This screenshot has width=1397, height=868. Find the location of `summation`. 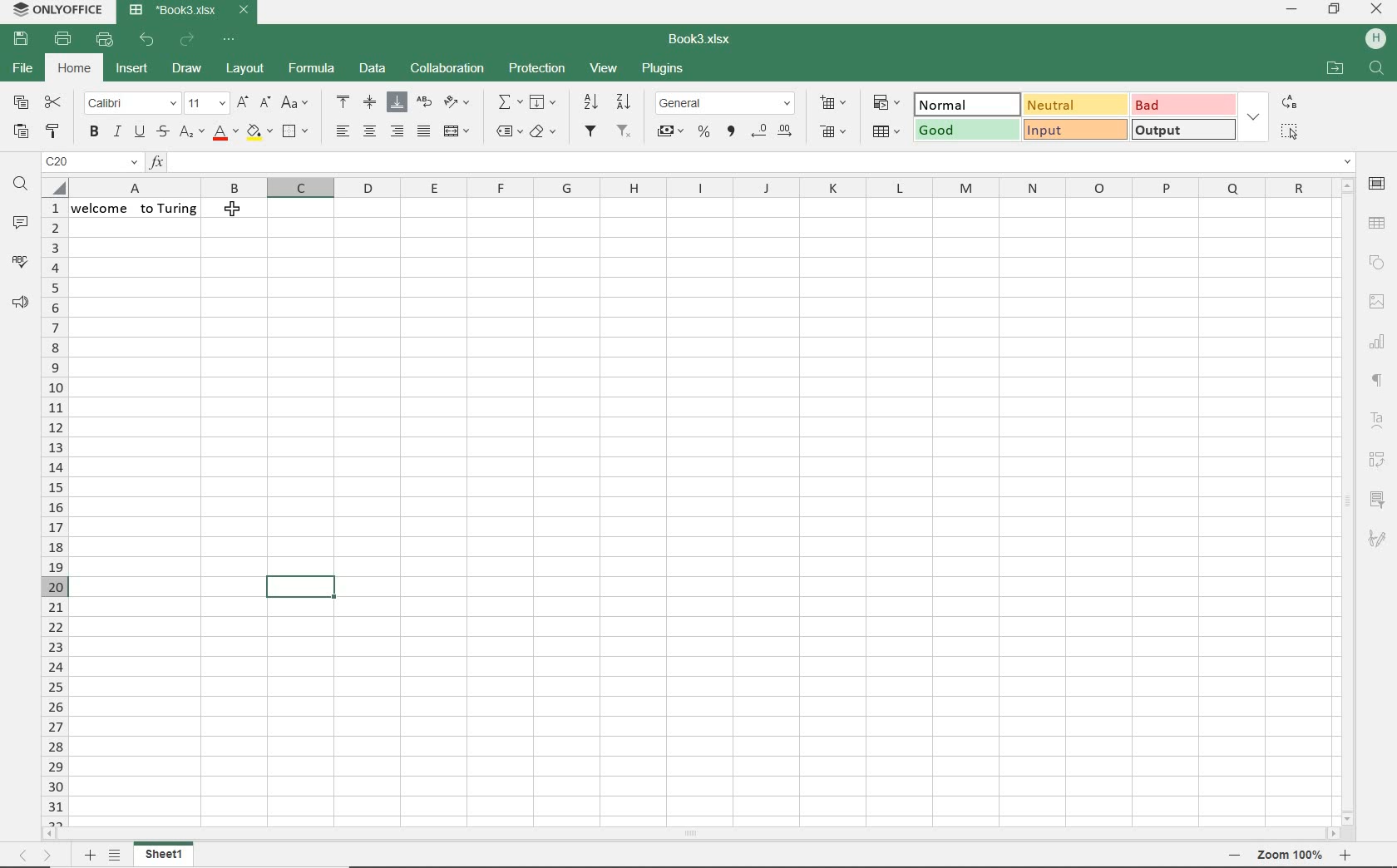

summation is located at coordinates (507, 104).